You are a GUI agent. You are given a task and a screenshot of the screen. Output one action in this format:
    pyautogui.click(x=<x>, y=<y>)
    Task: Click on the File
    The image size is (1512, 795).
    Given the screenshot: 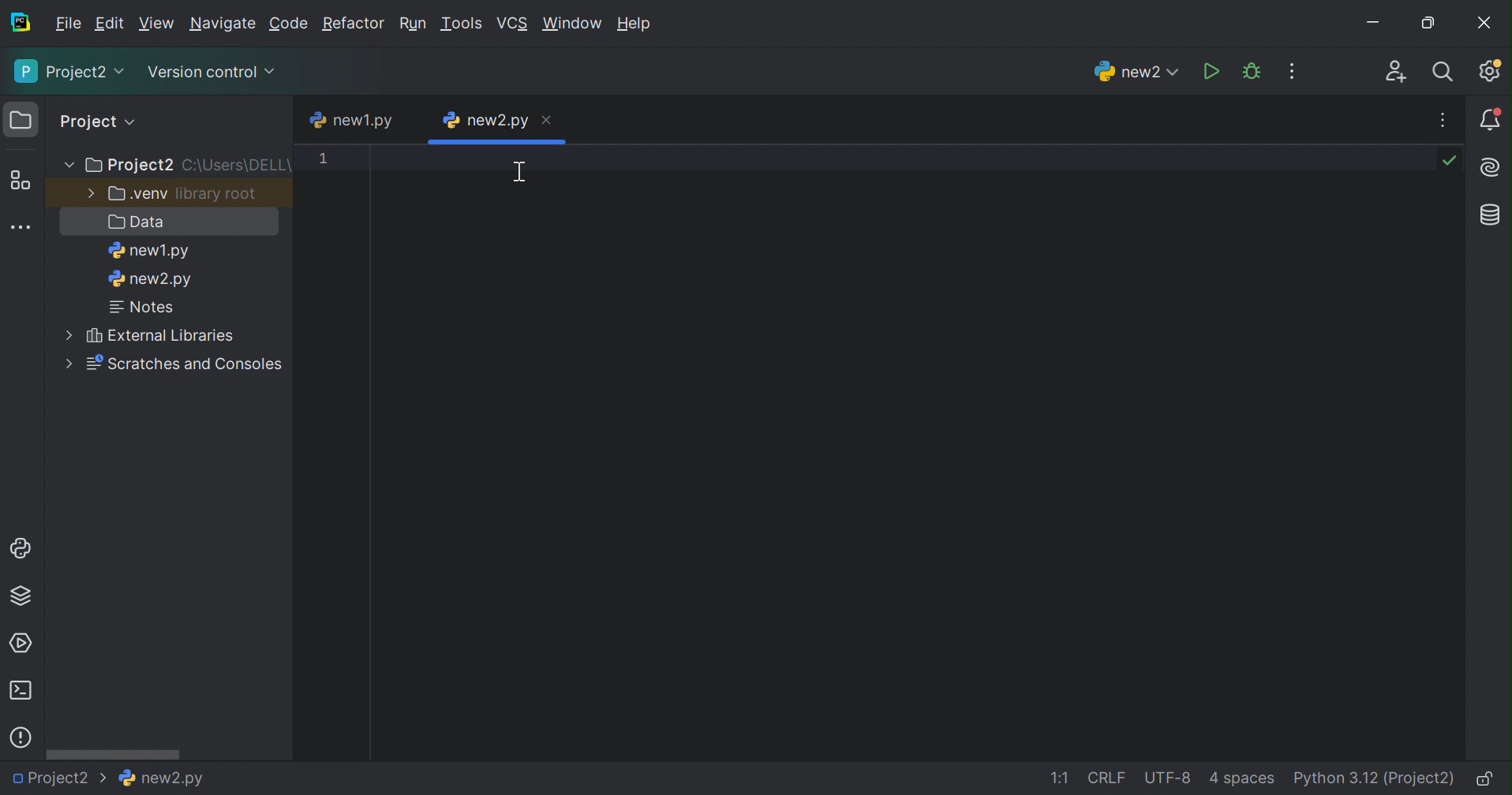 What is the action you would take?
    pyautogui.click(x=66, y=24)
    